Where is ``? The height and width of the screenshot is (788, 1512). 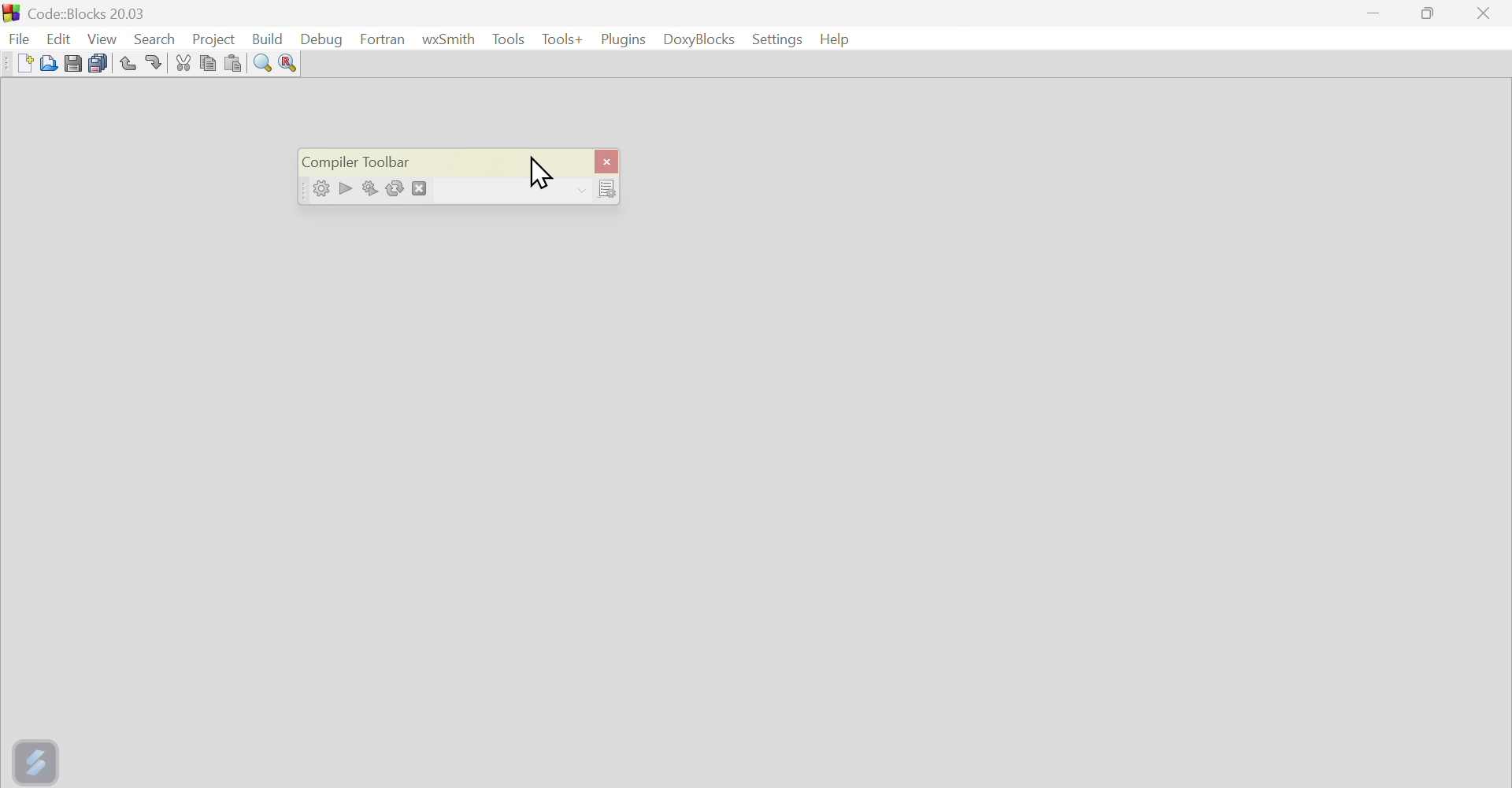
 is located at coordinates (369, 186).